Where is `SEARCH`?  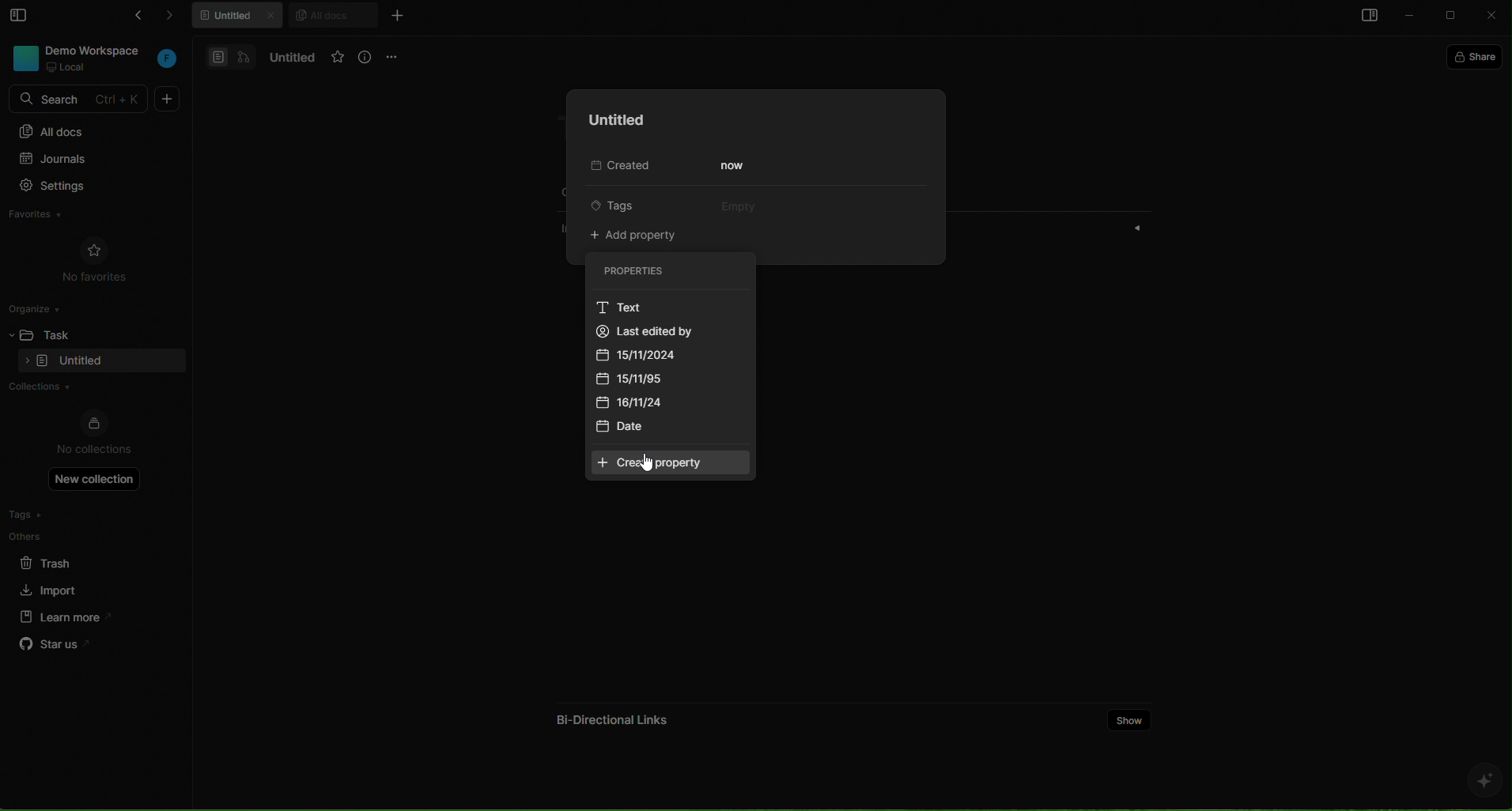 SEARCH is located at coordinates (81, 100).